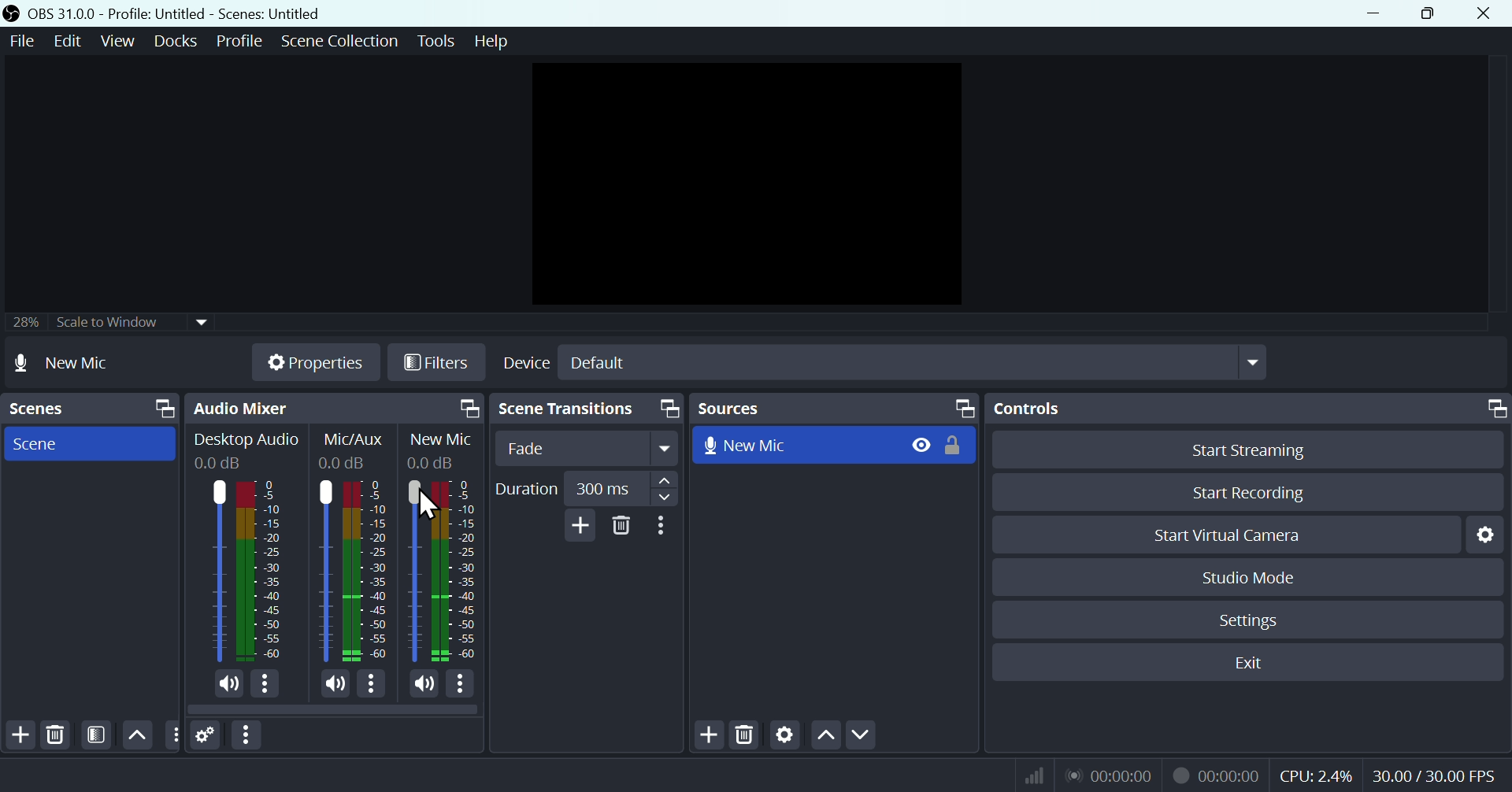 This screenshot has height=792, width=1512. I want to click on Close, so click(1482, 13).